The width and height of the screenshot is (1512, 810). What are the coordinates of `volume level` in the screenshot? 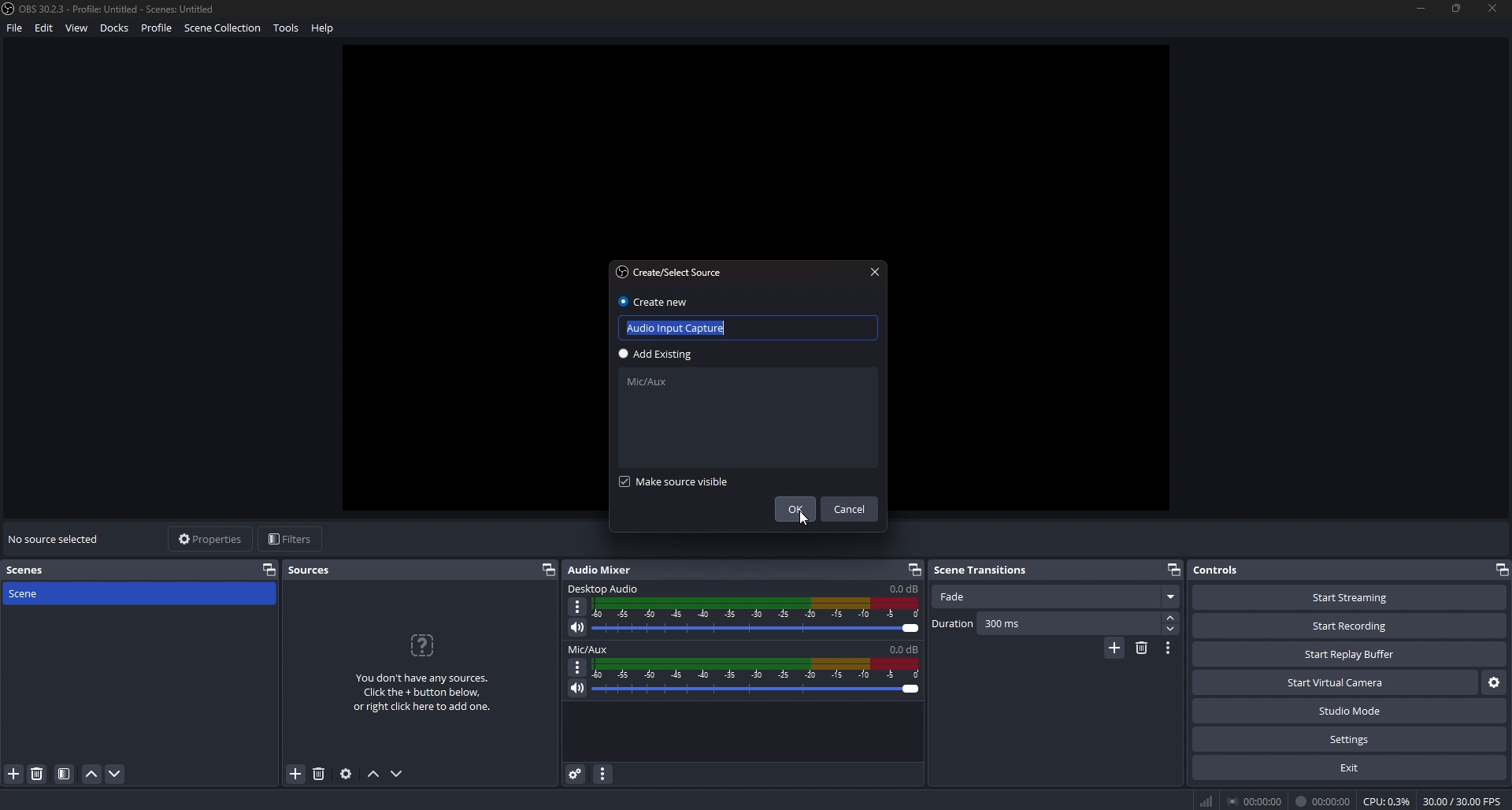 It's located at (903, 588).